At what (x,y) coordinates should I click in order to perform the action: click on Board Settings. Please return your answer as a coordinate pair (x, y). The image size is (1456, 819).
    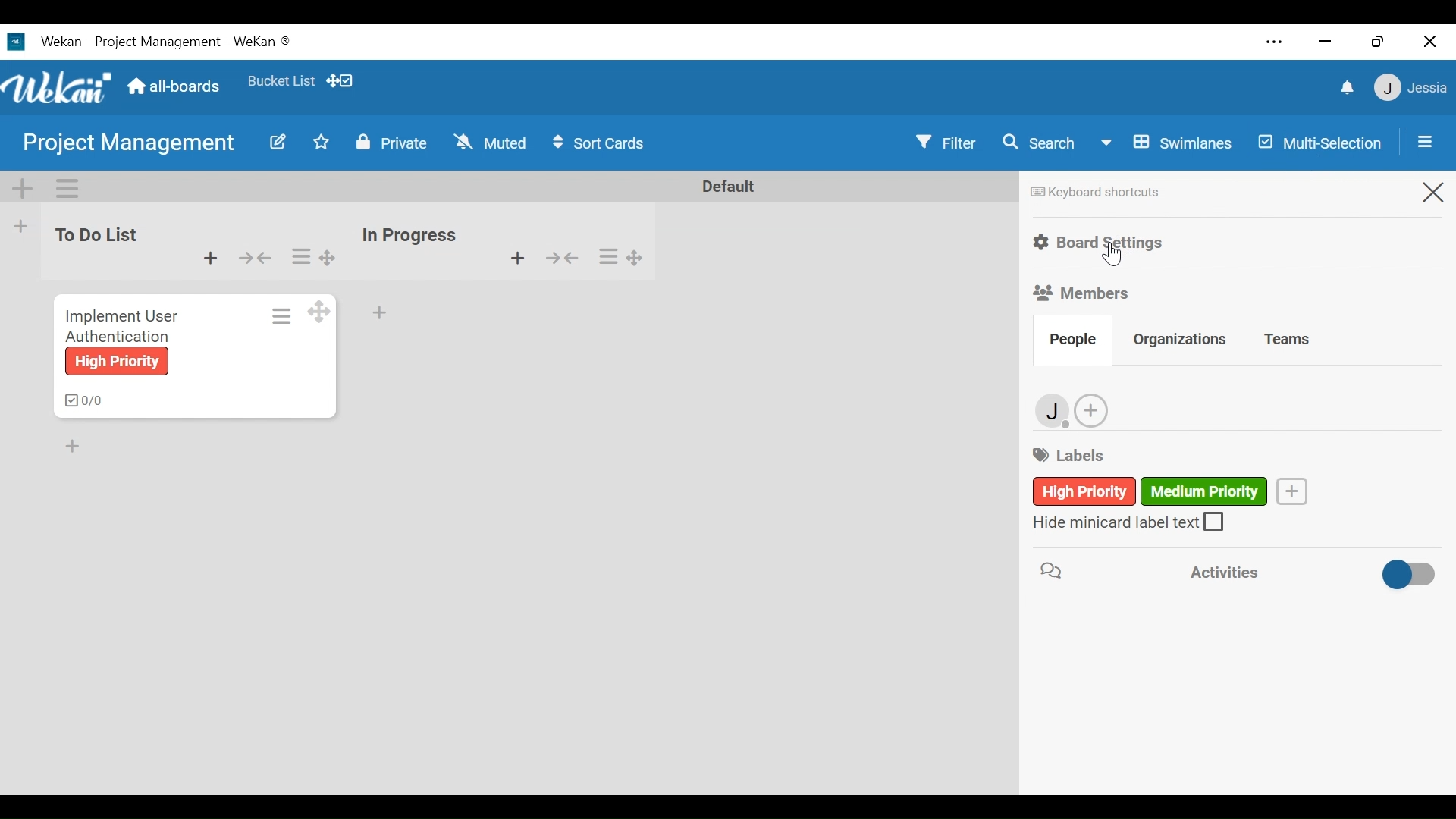
    Looking at the image, I should click on (1103, 241).